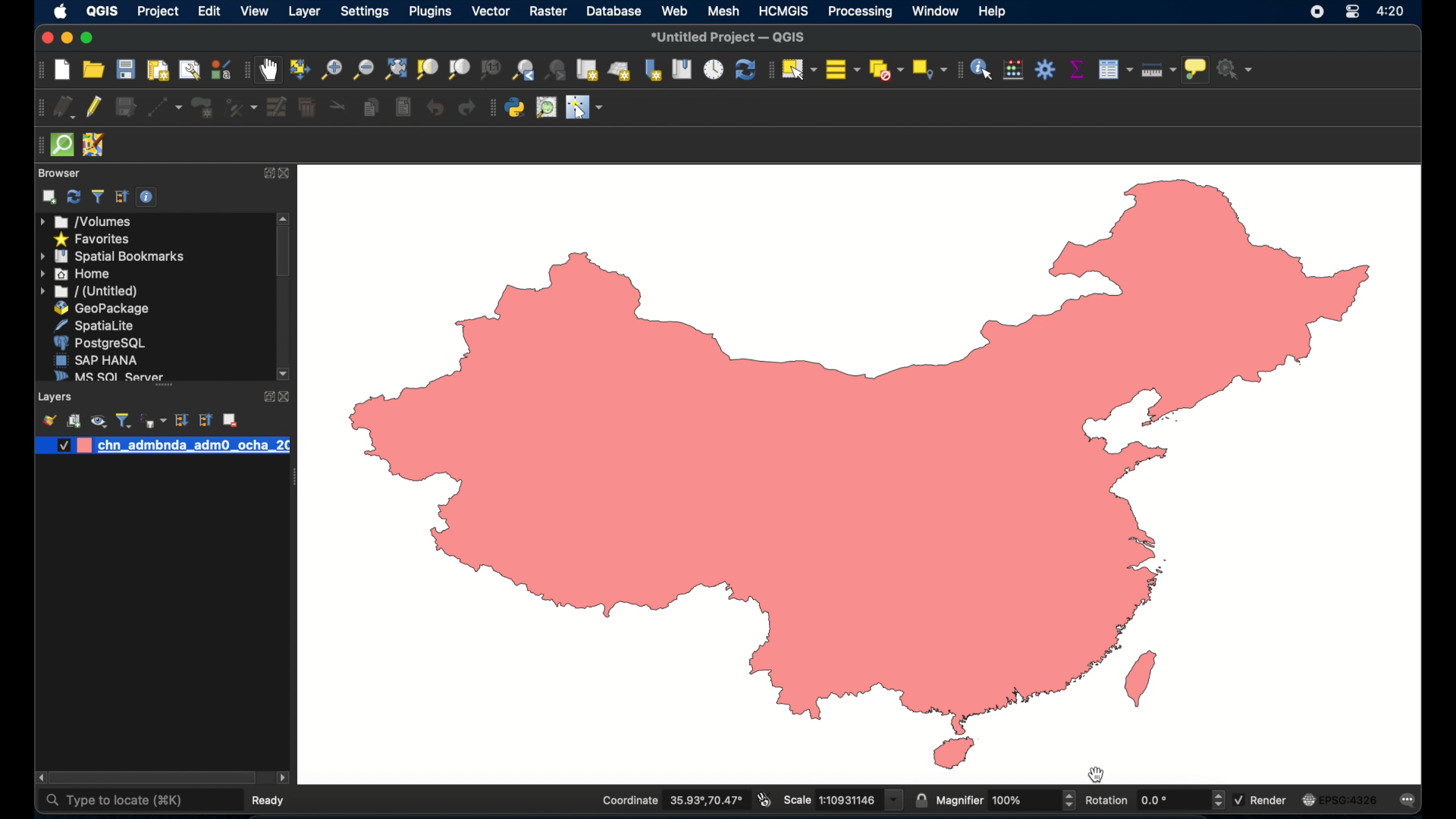 The image size is (1456, 819). I want to click on sap hana, so click(96, 359).